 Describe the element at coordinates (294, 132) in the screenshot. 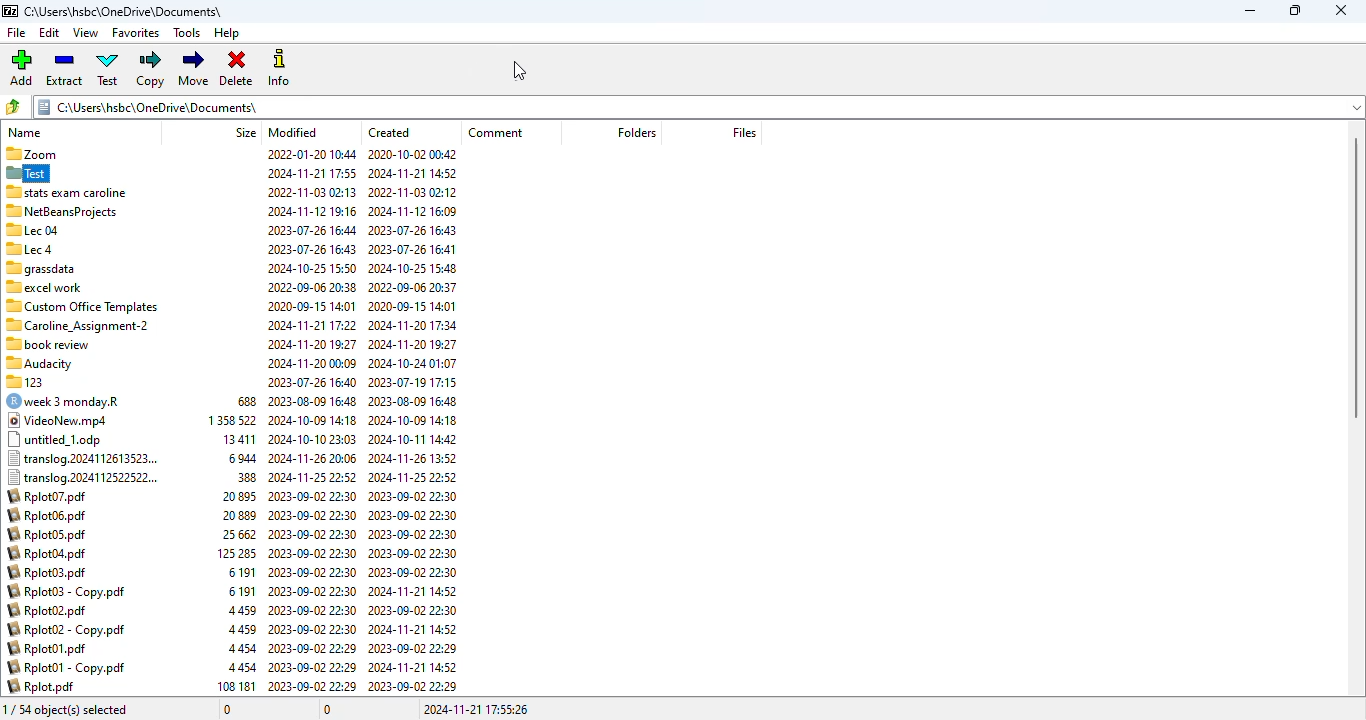

I see `modified ` at that location.